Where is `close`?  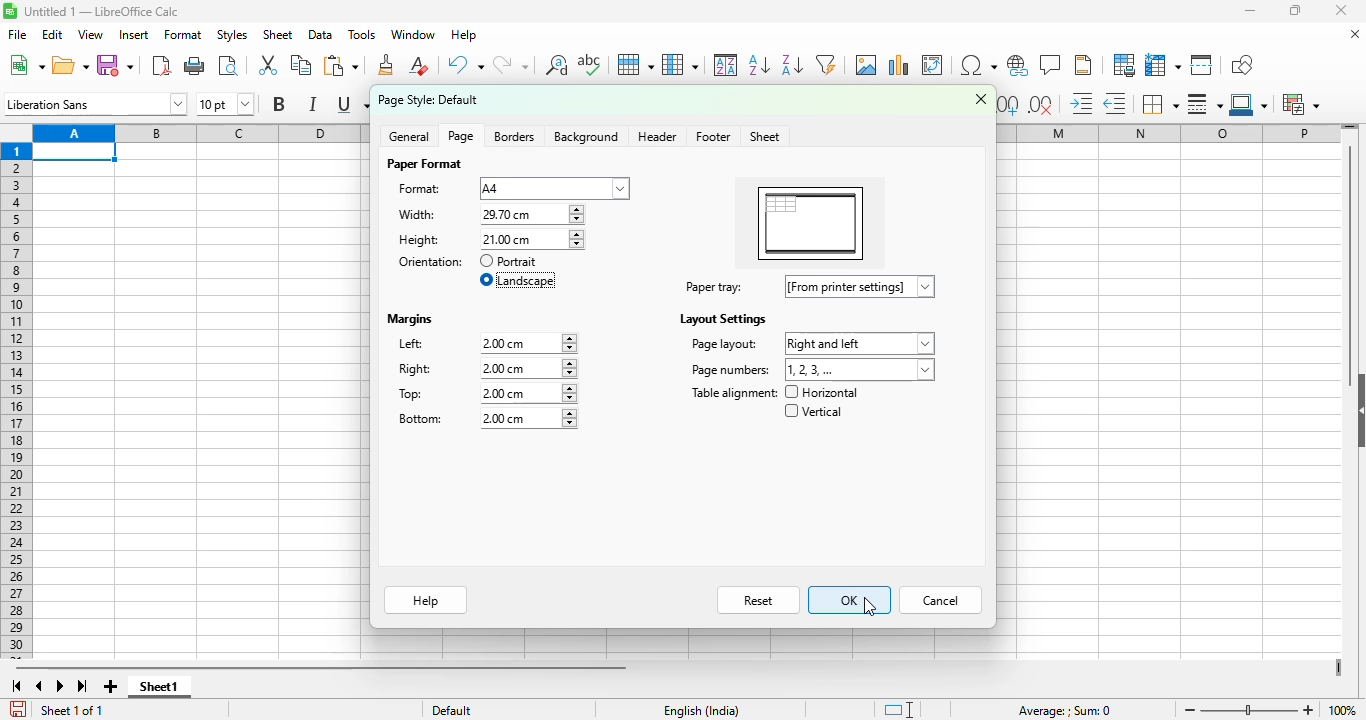 close is located at coordinates (1341, 10).